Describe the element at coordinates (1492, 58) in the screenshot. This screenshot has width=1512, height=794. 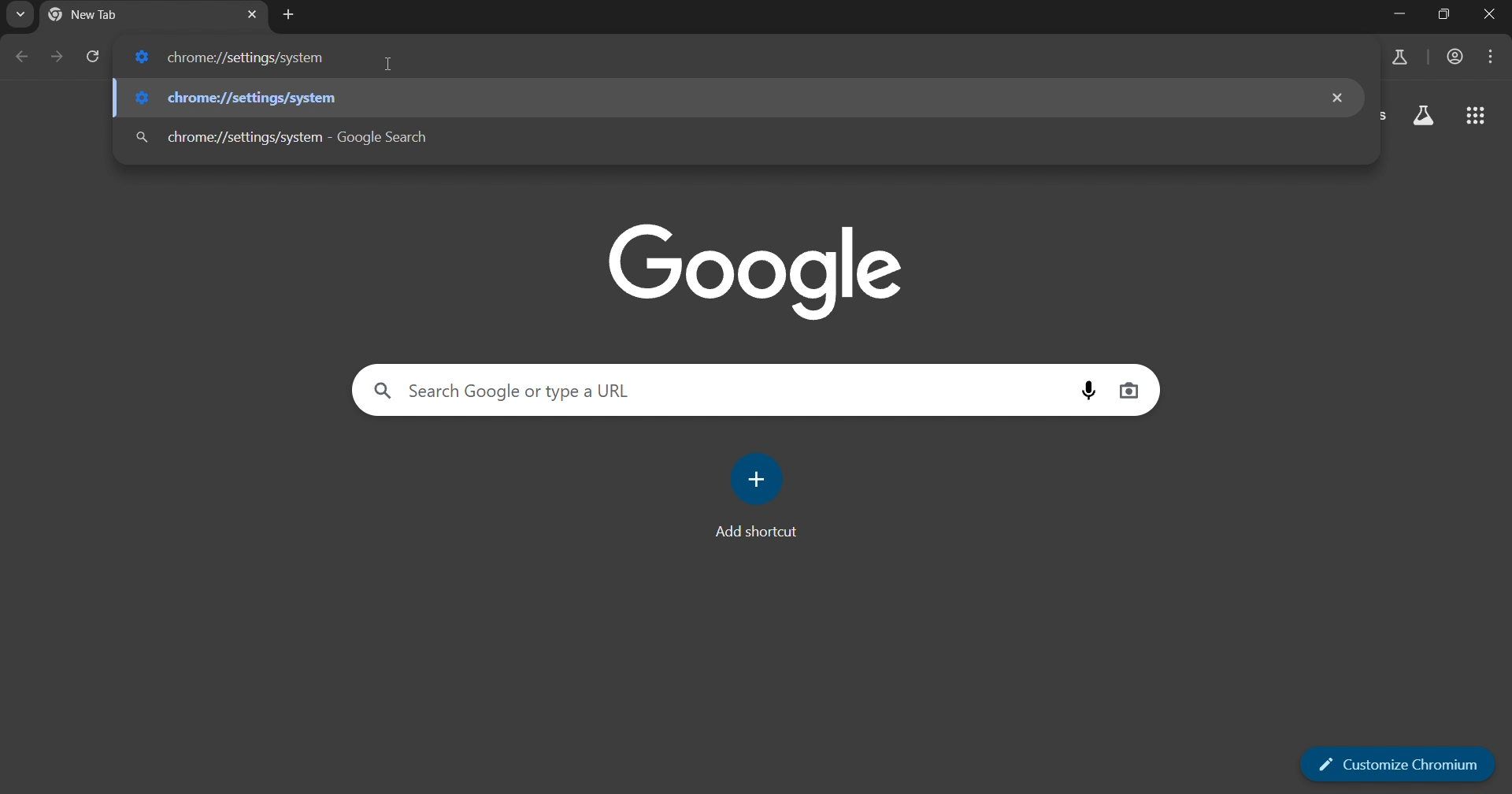
I see `menu` at that location.